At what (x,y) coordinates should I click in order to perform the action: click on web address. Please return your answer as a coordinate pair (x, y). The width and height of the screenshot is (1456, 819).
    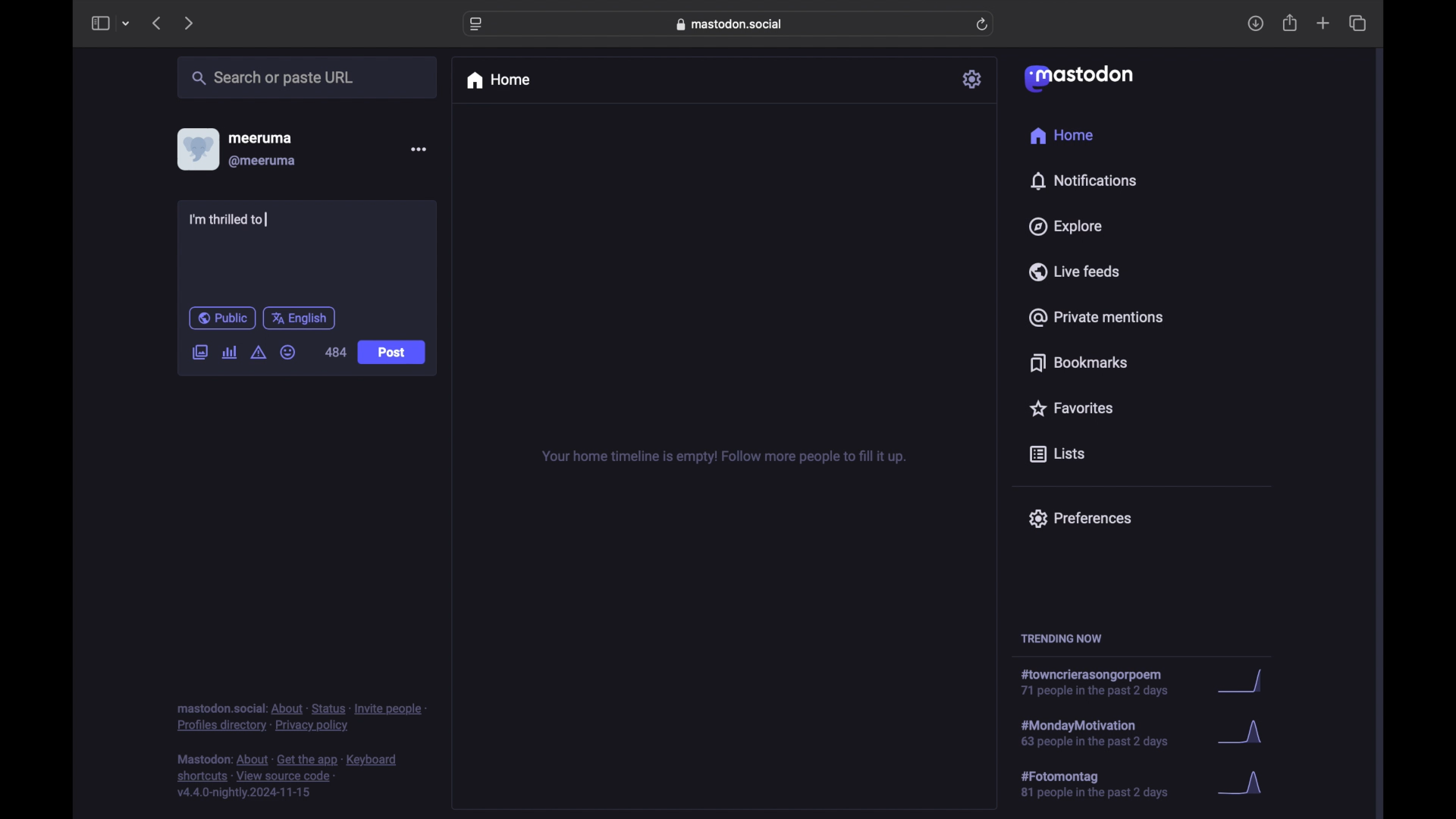
    Looking at the image, I should click on (730, 24).